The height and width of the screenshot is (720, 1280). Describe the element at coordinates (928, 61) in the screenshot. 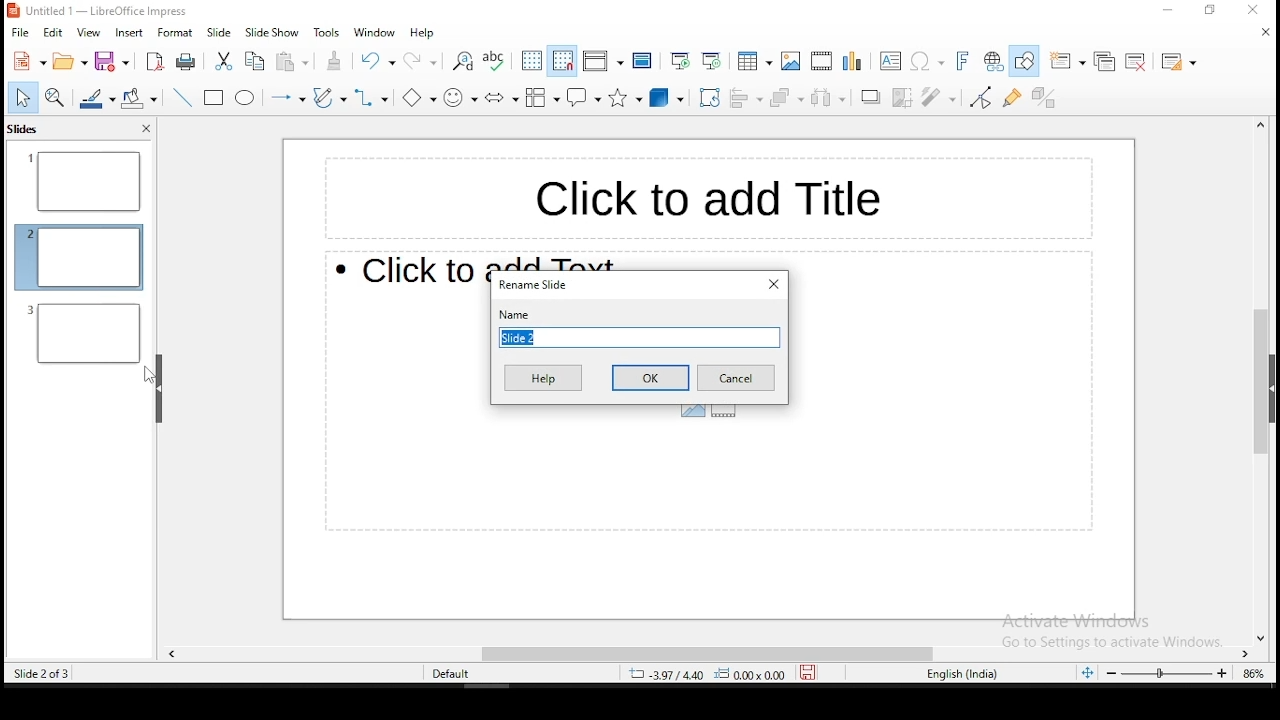

I see `insert special characters` at that location.